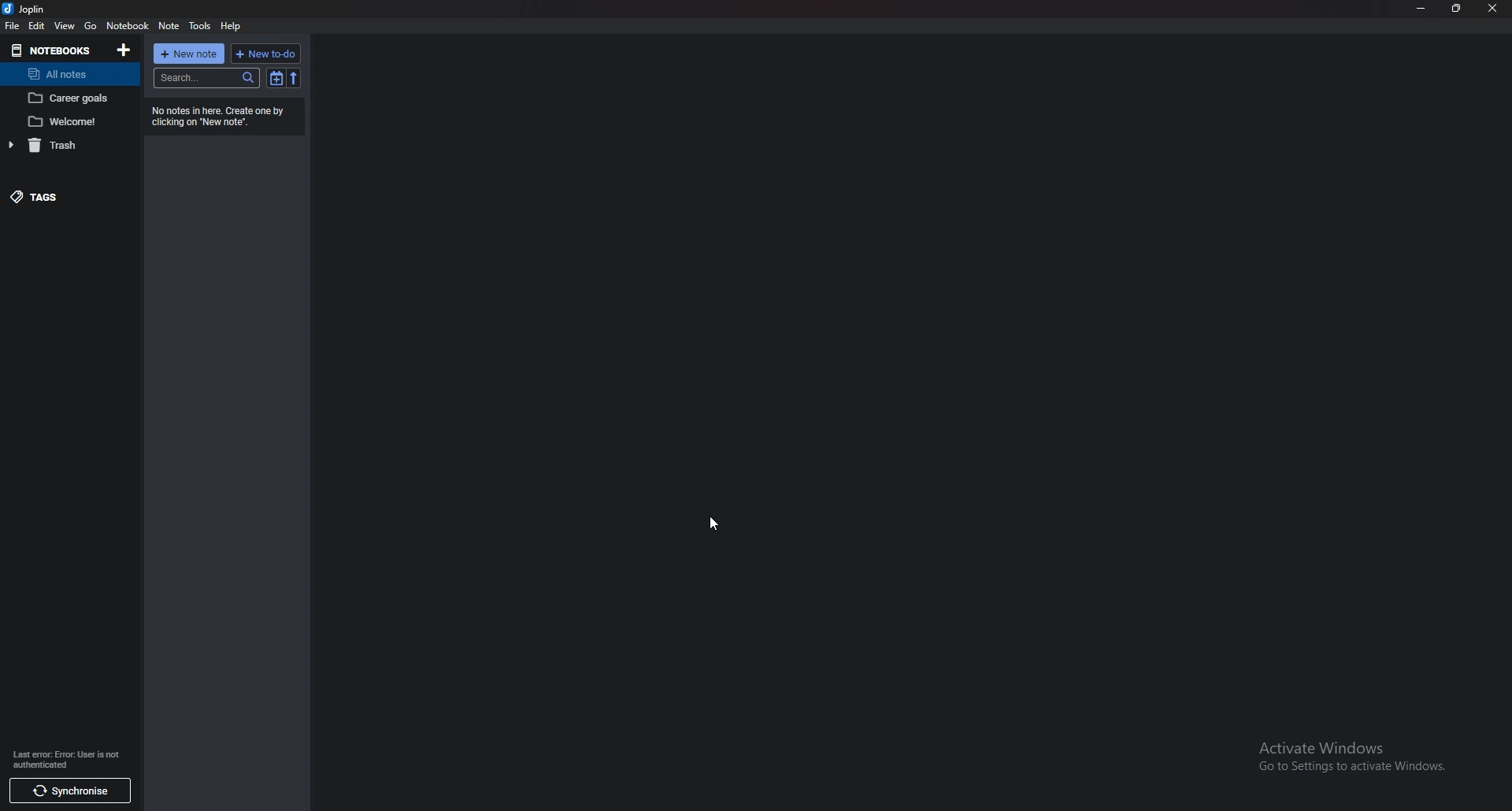 The width and height of the screenshot is (1512, 811). I want to click on toggle sort order, so click(276, 78).